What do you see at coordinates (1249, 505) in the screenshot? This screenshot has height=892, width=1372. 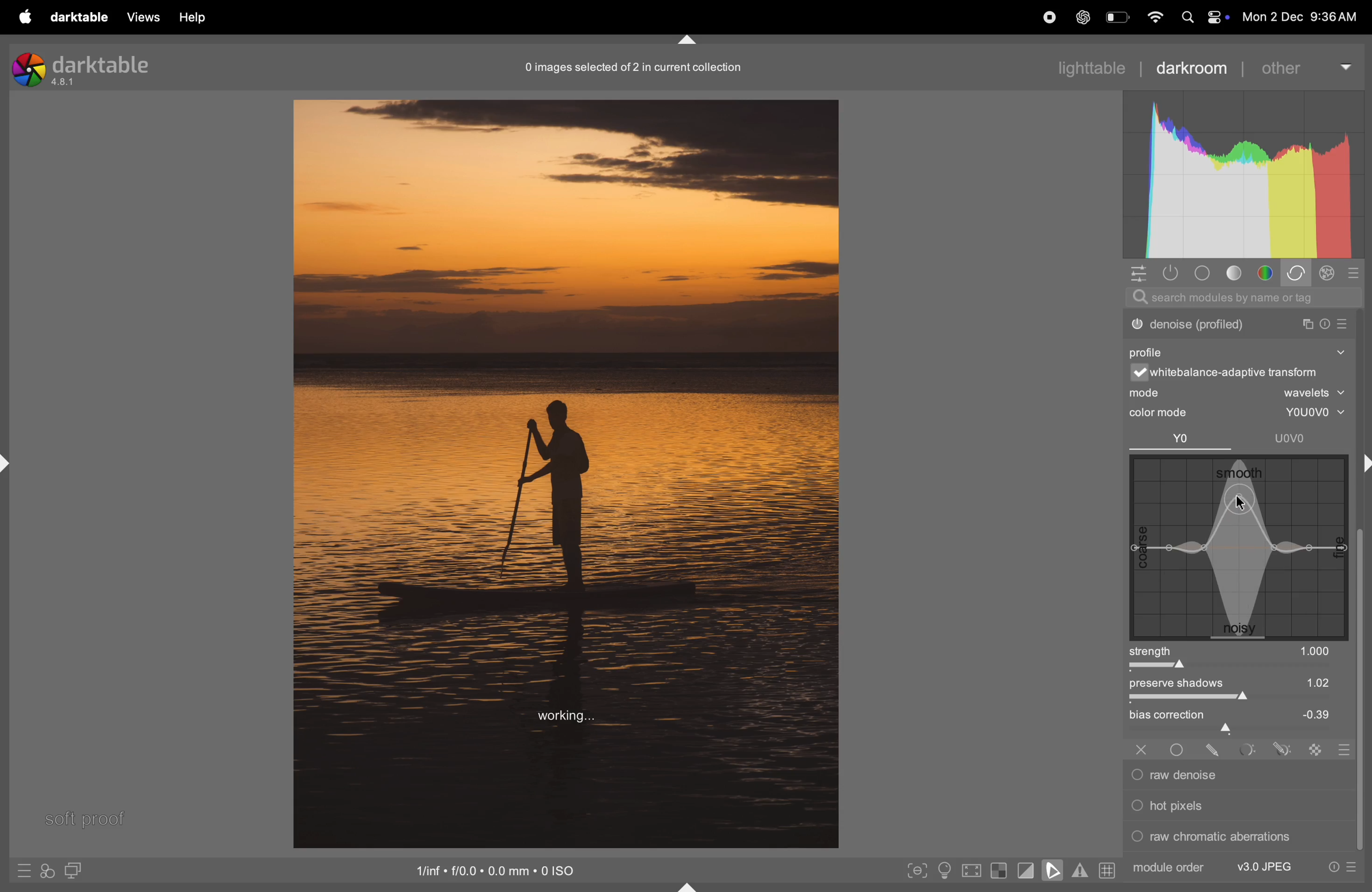 I see `cursor` at bounding box center [1249, 505].